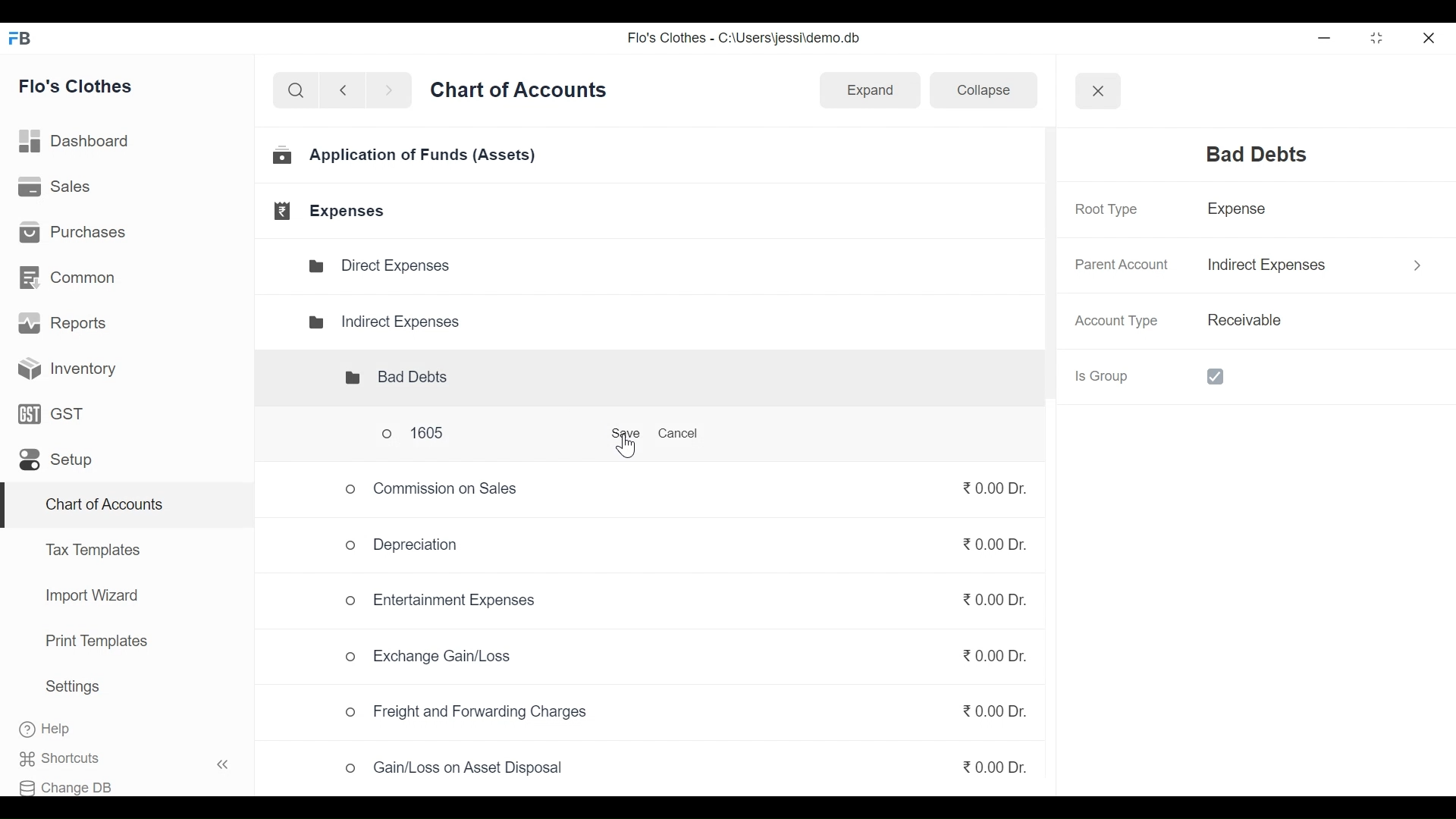 The width and height of the screenshot is (1456, 819). Describe the element at coordinates (456, 772) in the screenshot. I see `Gain/Loss on Asset Disposal` at that location.